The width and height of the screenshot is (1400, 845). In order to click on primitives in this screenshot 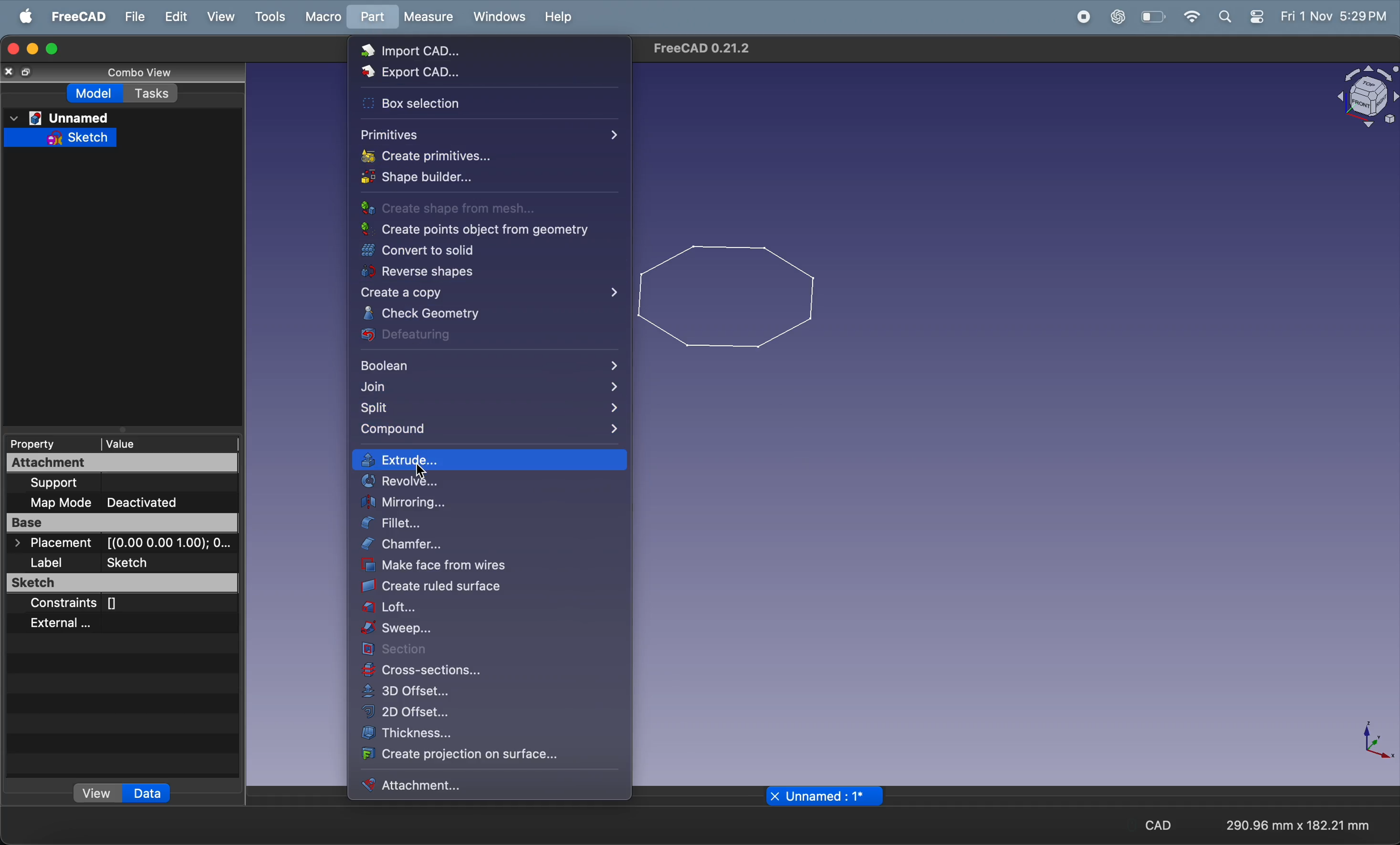, I will do `click(490, 136)`.